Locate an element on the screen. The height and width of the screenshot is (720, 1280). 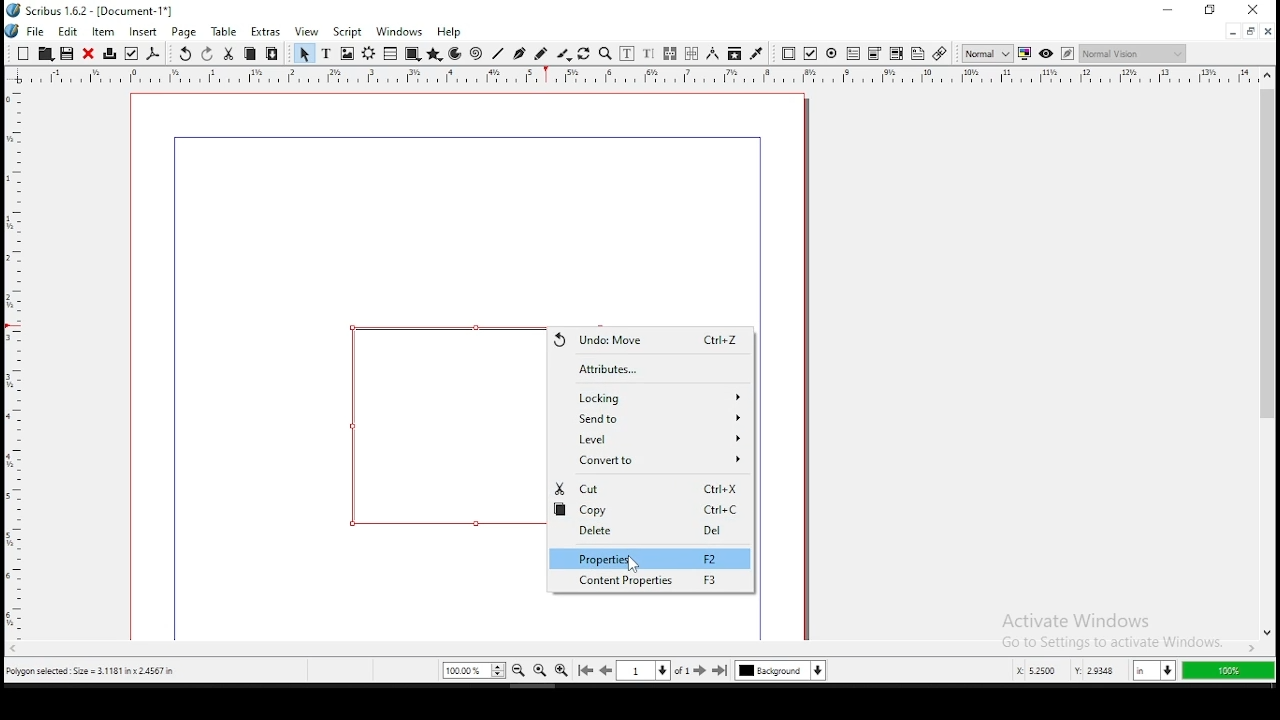
select current page is located at coordinates (644, 671).